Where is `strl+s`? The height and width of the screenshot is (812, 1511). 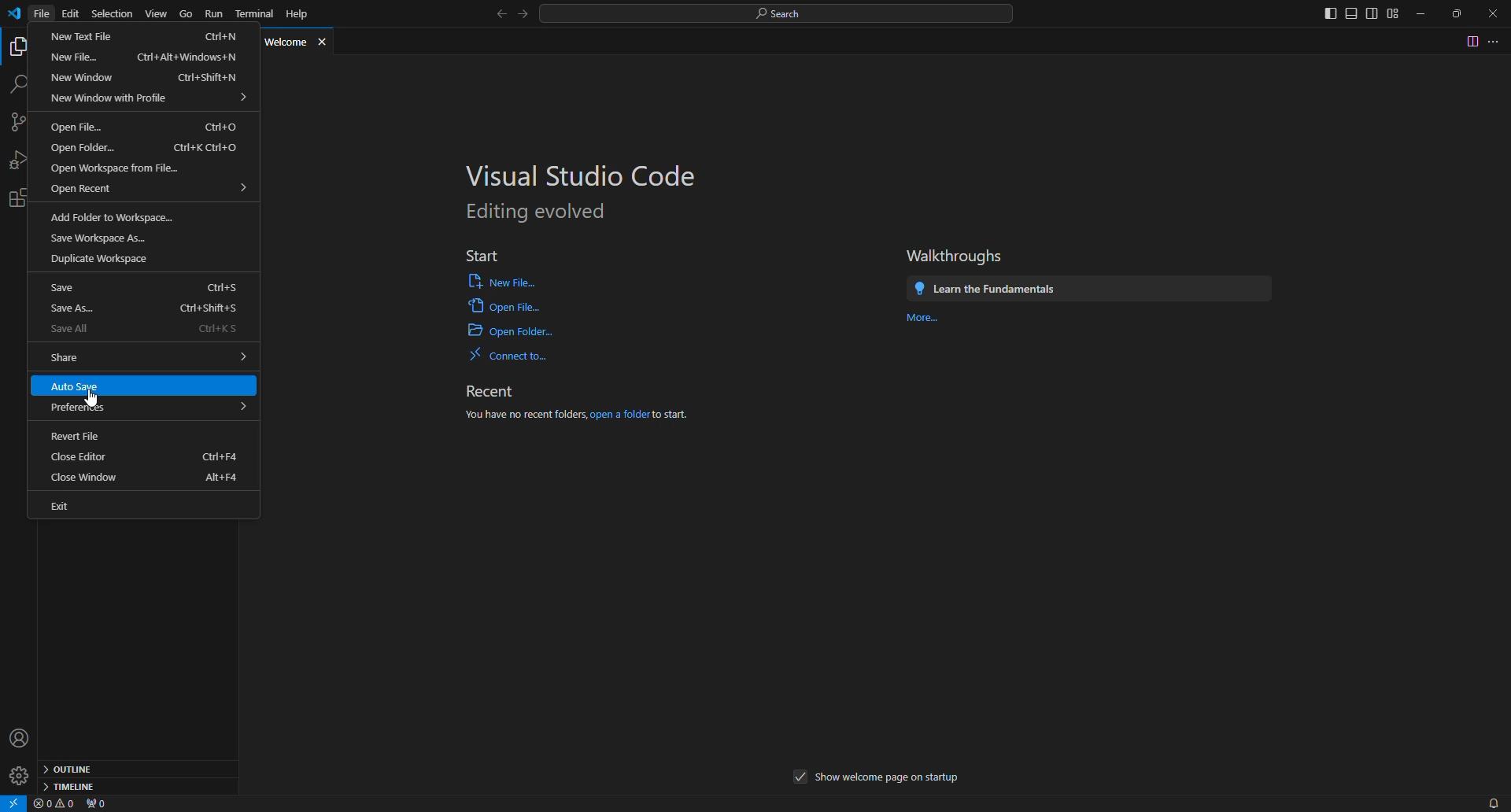 strl+s is located at coordinates (226, 286).